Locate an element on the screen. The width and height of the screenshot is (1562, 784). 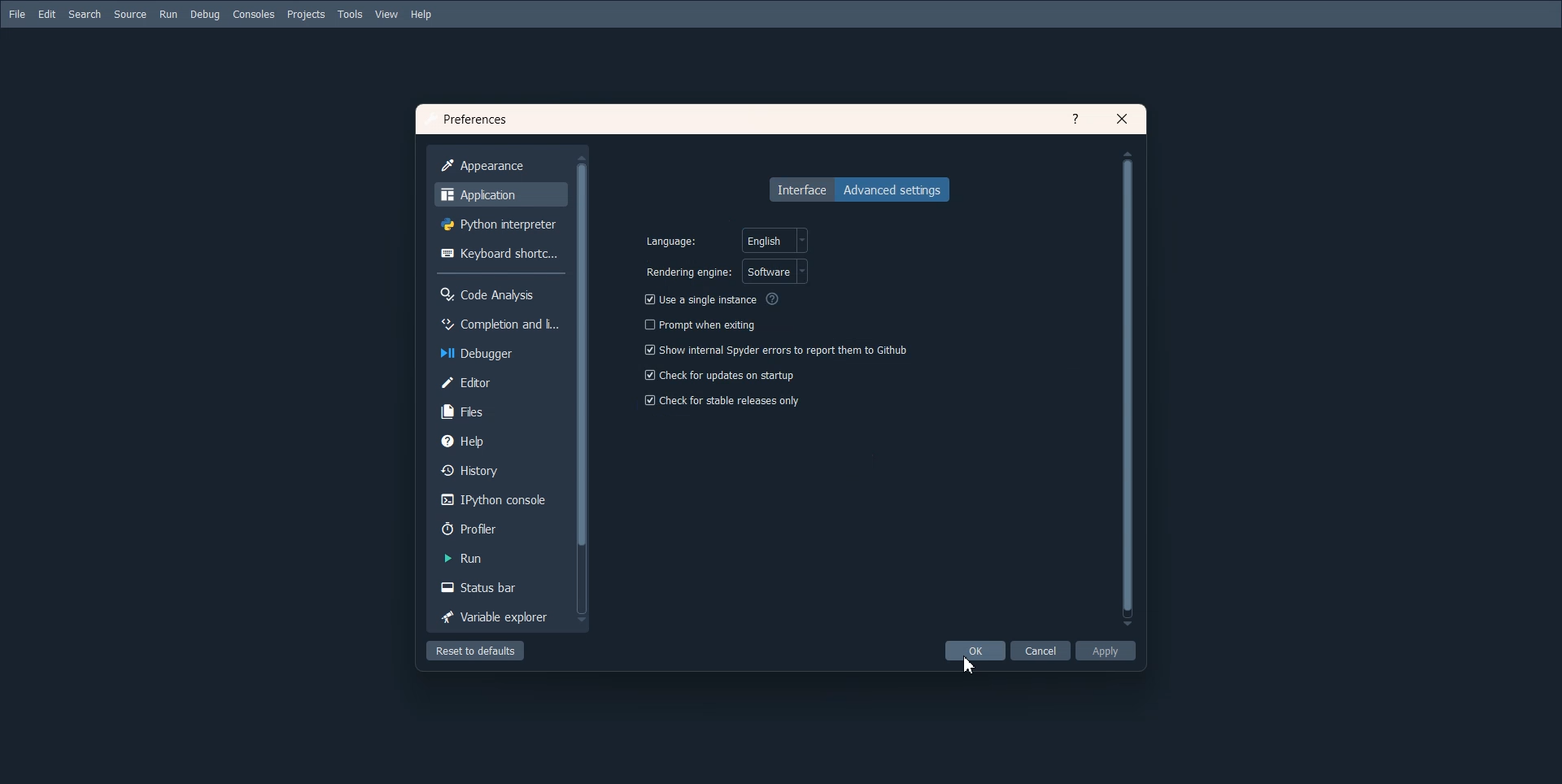
Check for stable release only  is located at coordinates (722, 400).